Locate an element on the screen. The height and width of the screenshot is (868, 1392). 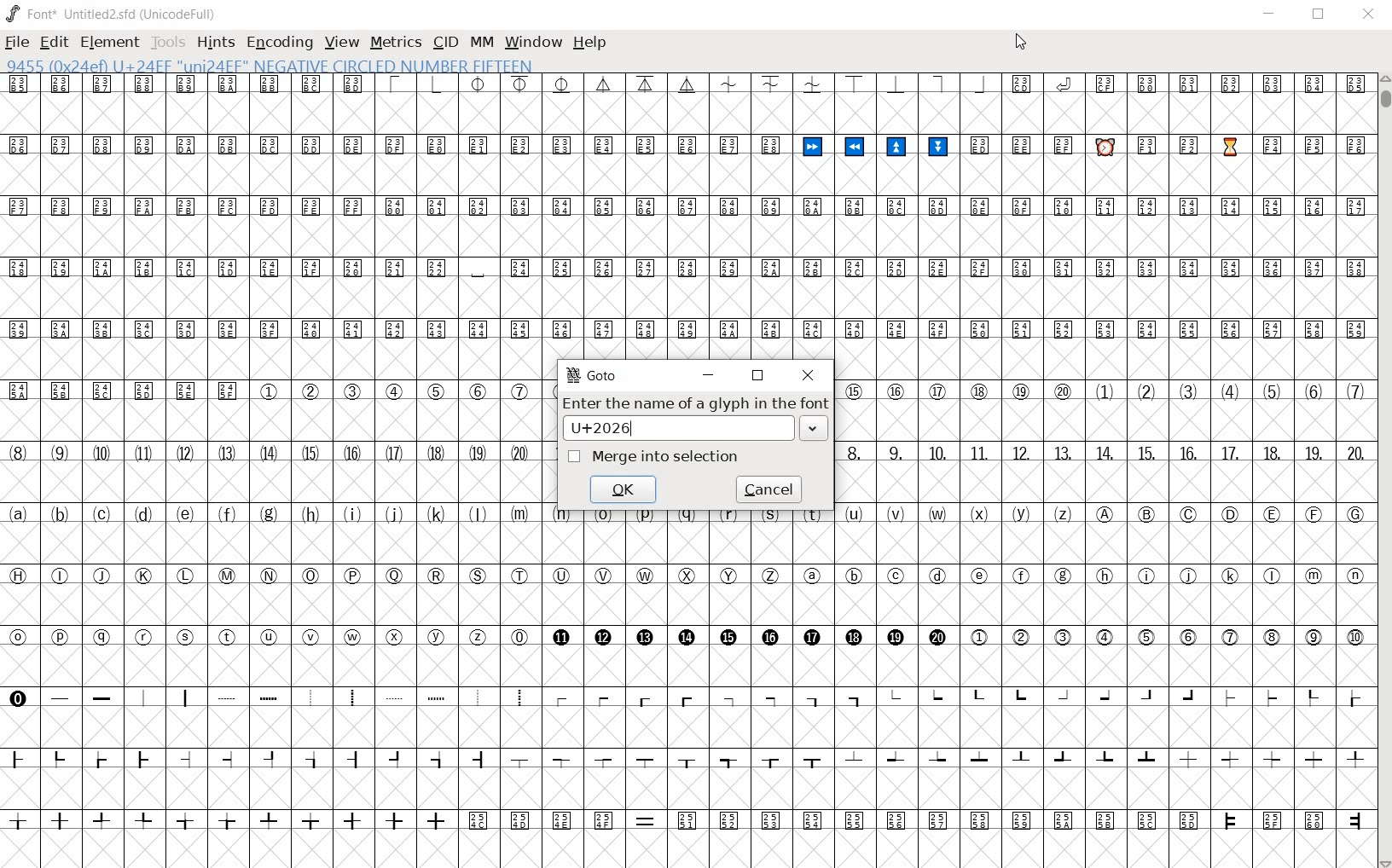
EDIT is located at coordinates (56, 42).